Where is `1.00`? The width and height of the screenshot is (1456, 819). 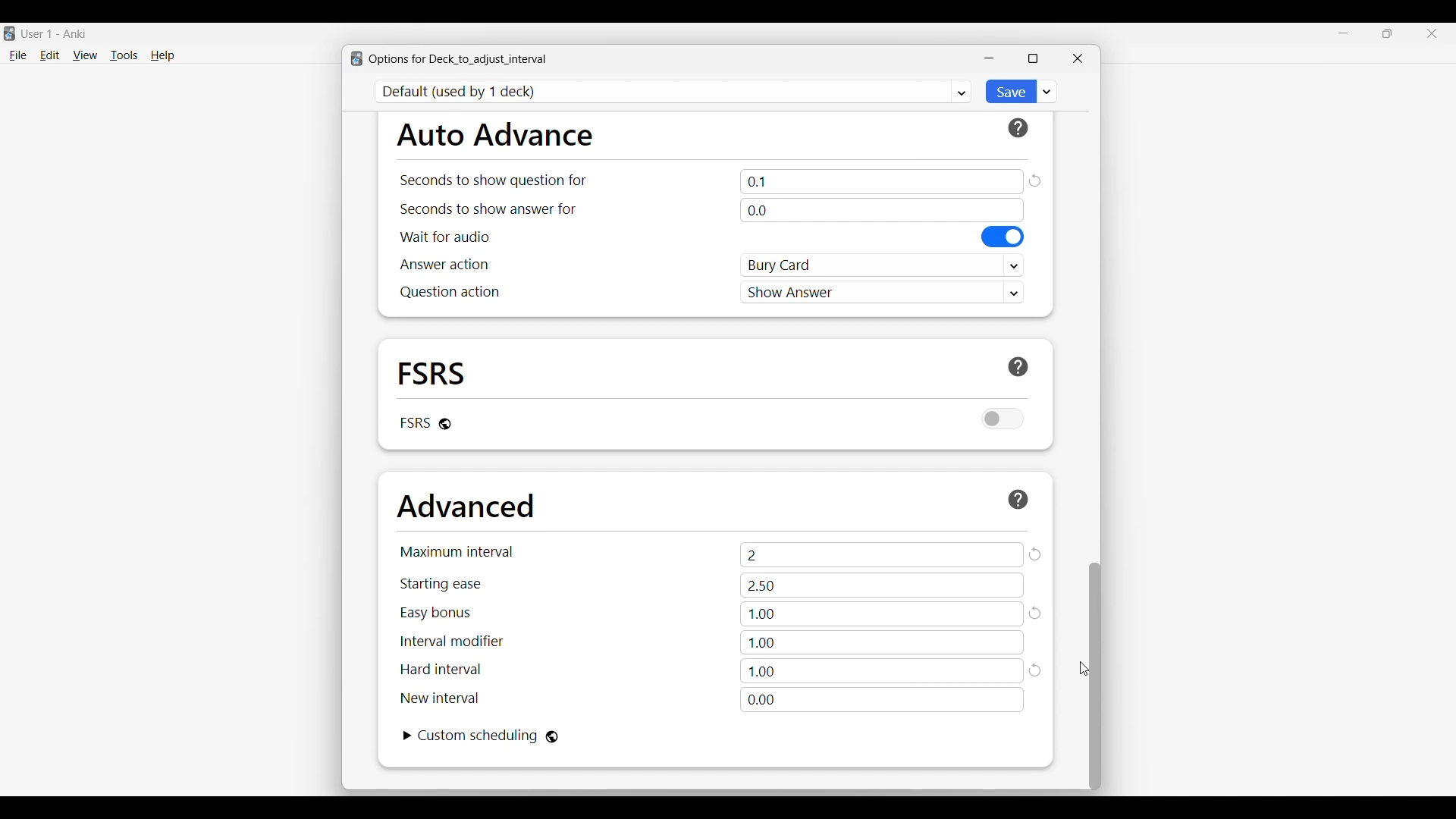
1.00 is located at coordinates (883, 614).